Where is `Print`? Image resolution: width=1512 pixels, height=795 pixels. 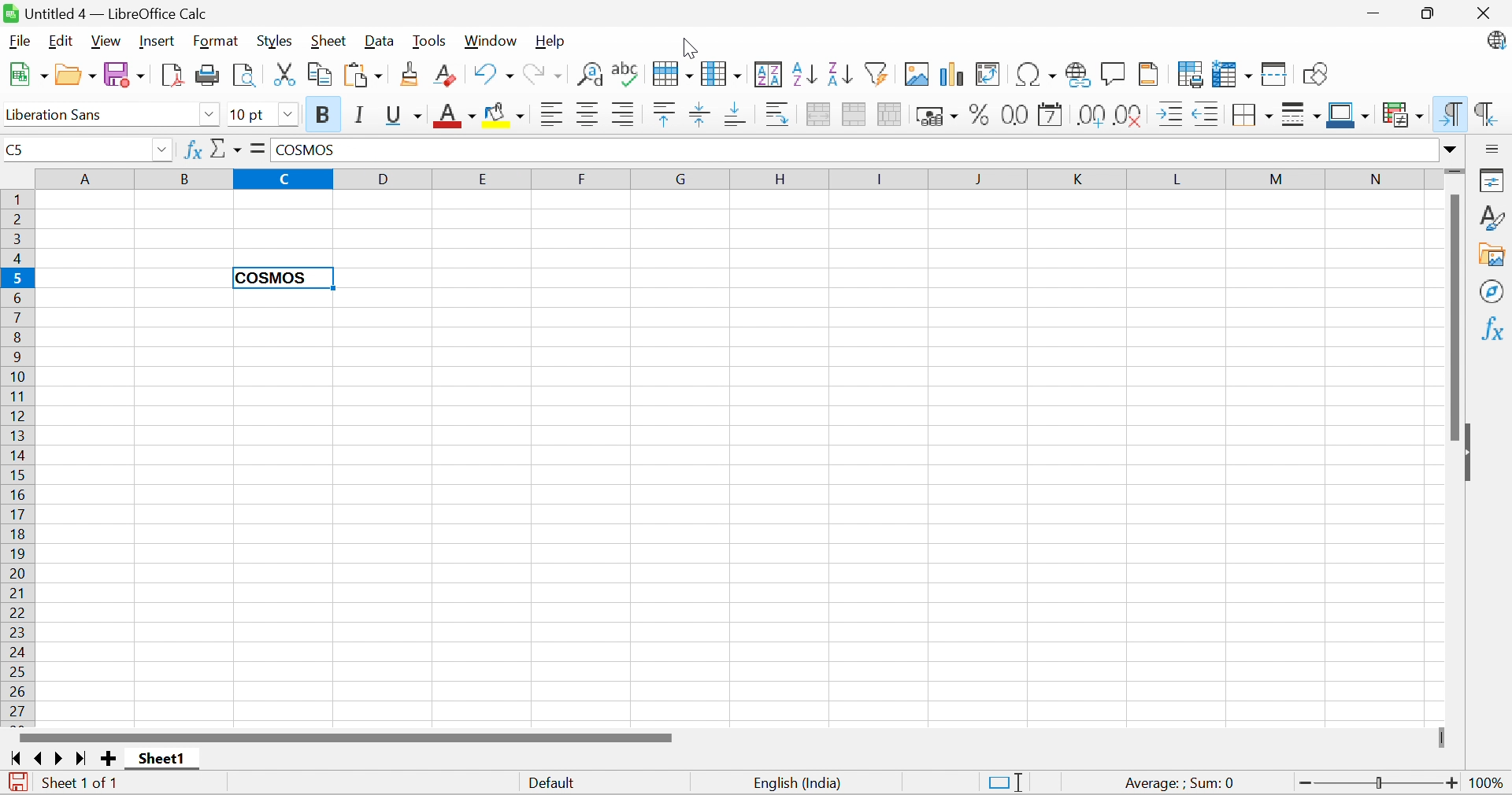
Print is located at coordinates (209, 75).